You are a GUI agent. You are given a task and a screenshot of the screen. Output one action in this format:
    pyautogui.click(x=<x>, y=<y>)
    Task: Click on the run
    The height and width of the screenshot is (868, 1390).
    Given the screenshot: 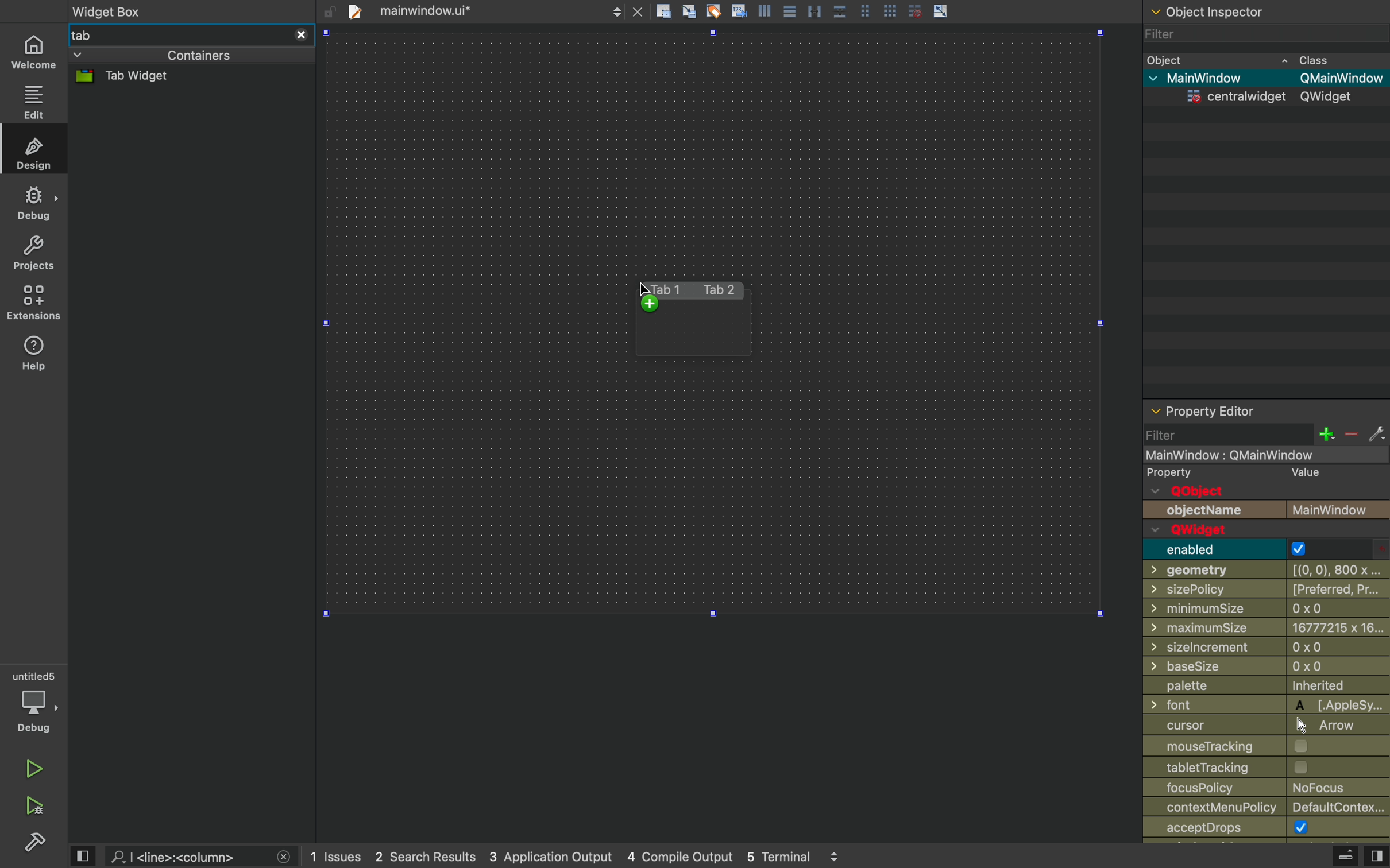 What is the action you would take?
    pyautogui.click(x=36, y=772)
    